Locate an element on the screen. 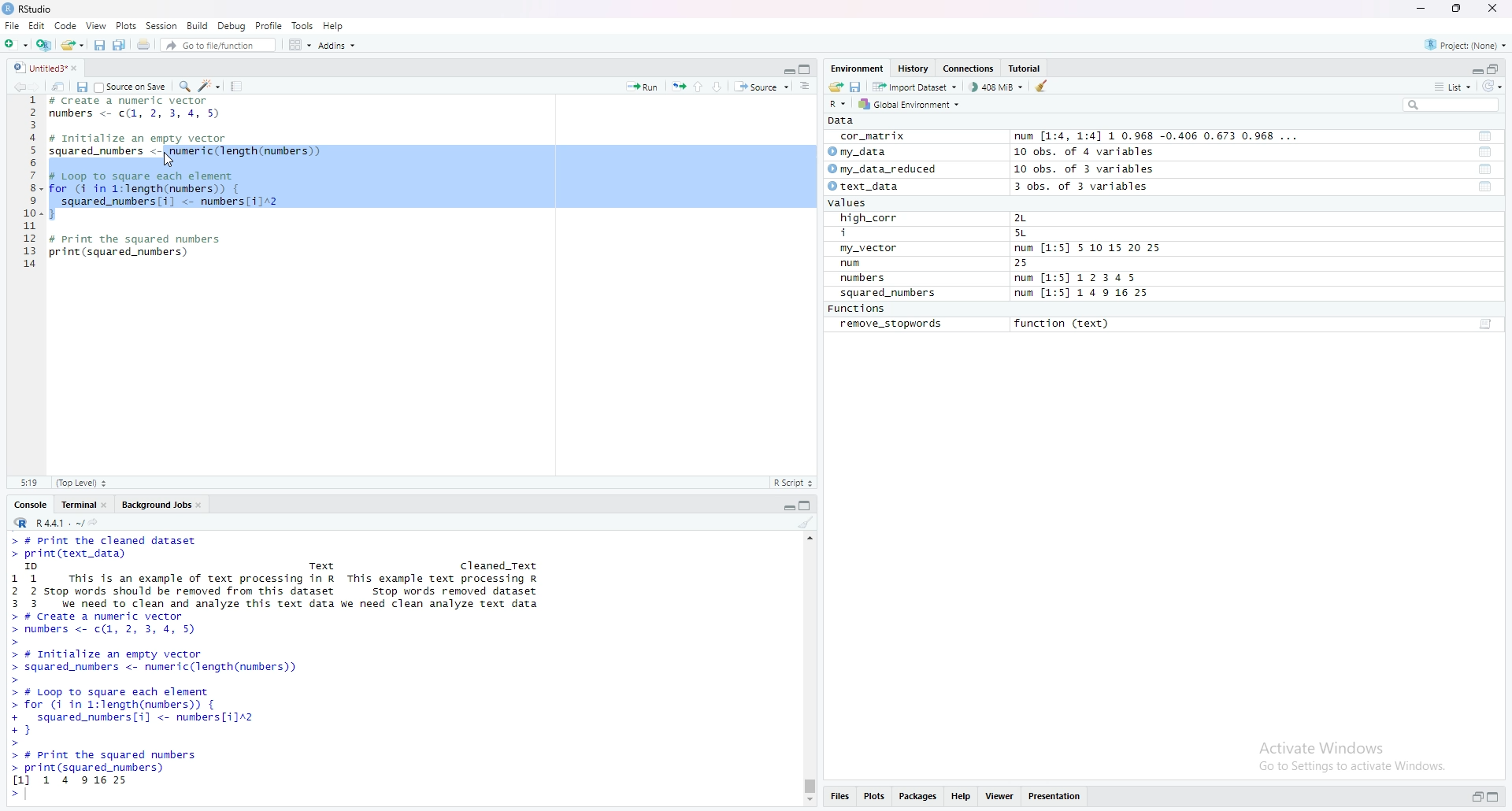 The image size is (1512, 811). > # print the cleaned dataset> print(text_data)™ Text Cleaned_Text11 This is an example of text processing in R This example text processing R2 2 stop words should be removed from this dataset stop words removed dataset3 3 ve need to clean and analyze this text data We need clean analyze text data> # Create a numeric vector> numbers <- c(1, 2, 3, 4, 5)> # Initialize an empty vector> squared_numbers <- numer ic(length(numbers))> # Loop To square each element> for (i in 1:length(numbers)) {+ squared_numbers[i] <- nunbers[i12+}> # print the squared numbers> print(squared_numbers)1] 1 4 9 16 25 > is located at coordinates (283, 668).